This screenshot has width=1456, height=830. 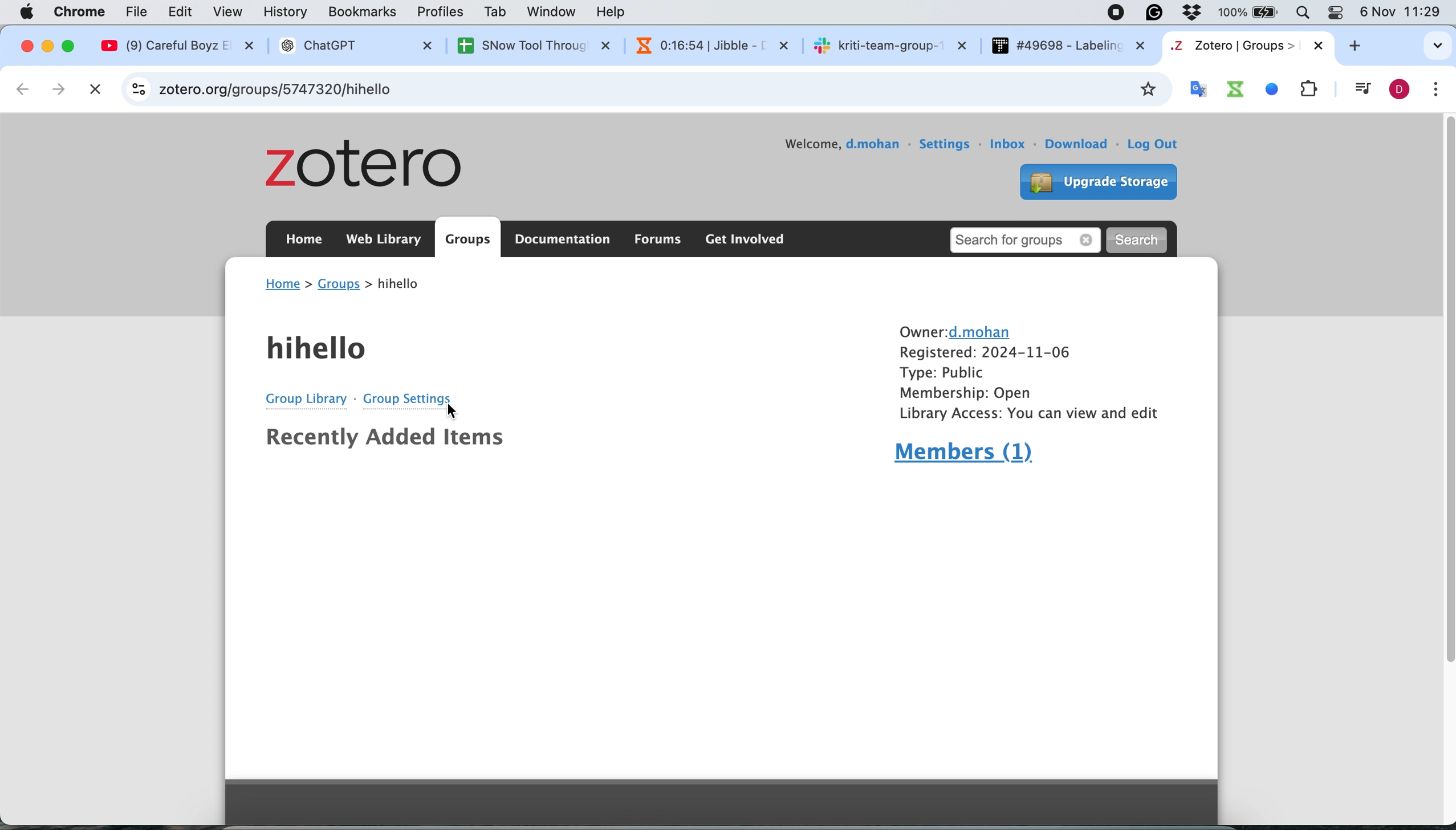 I want to click on # #49698 - Labelin: x, so click(x=1069, y=46).